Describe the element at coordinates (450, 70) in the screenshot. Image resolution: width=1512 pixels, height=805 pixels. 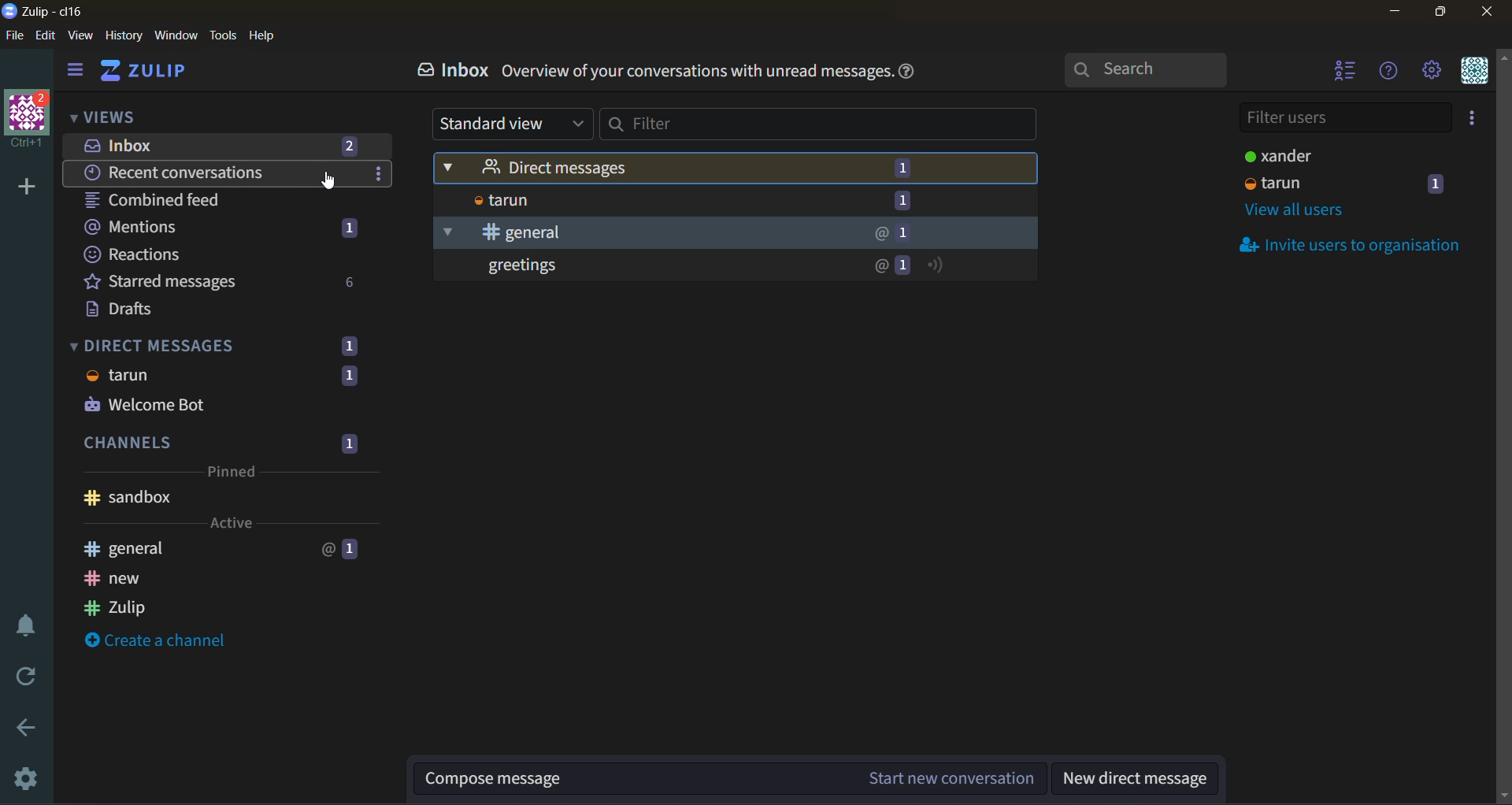
I see `inbox` at that location.